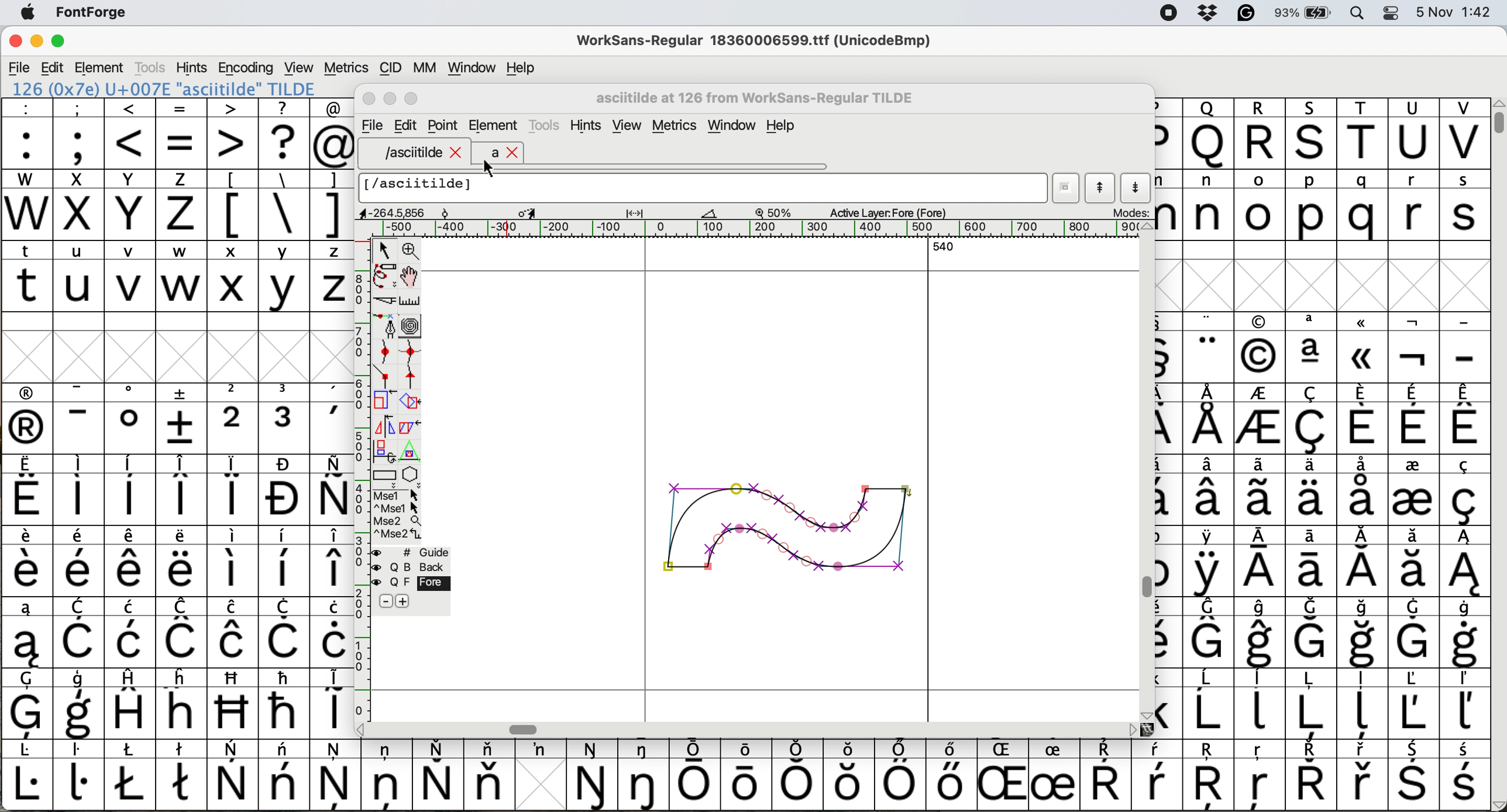 Image resolution: width=1507 pixels, height=812 pixels. What do you see at coordinates (679, 127) in the screenshot?
I see `metrics` at bounding box center [679, 127].